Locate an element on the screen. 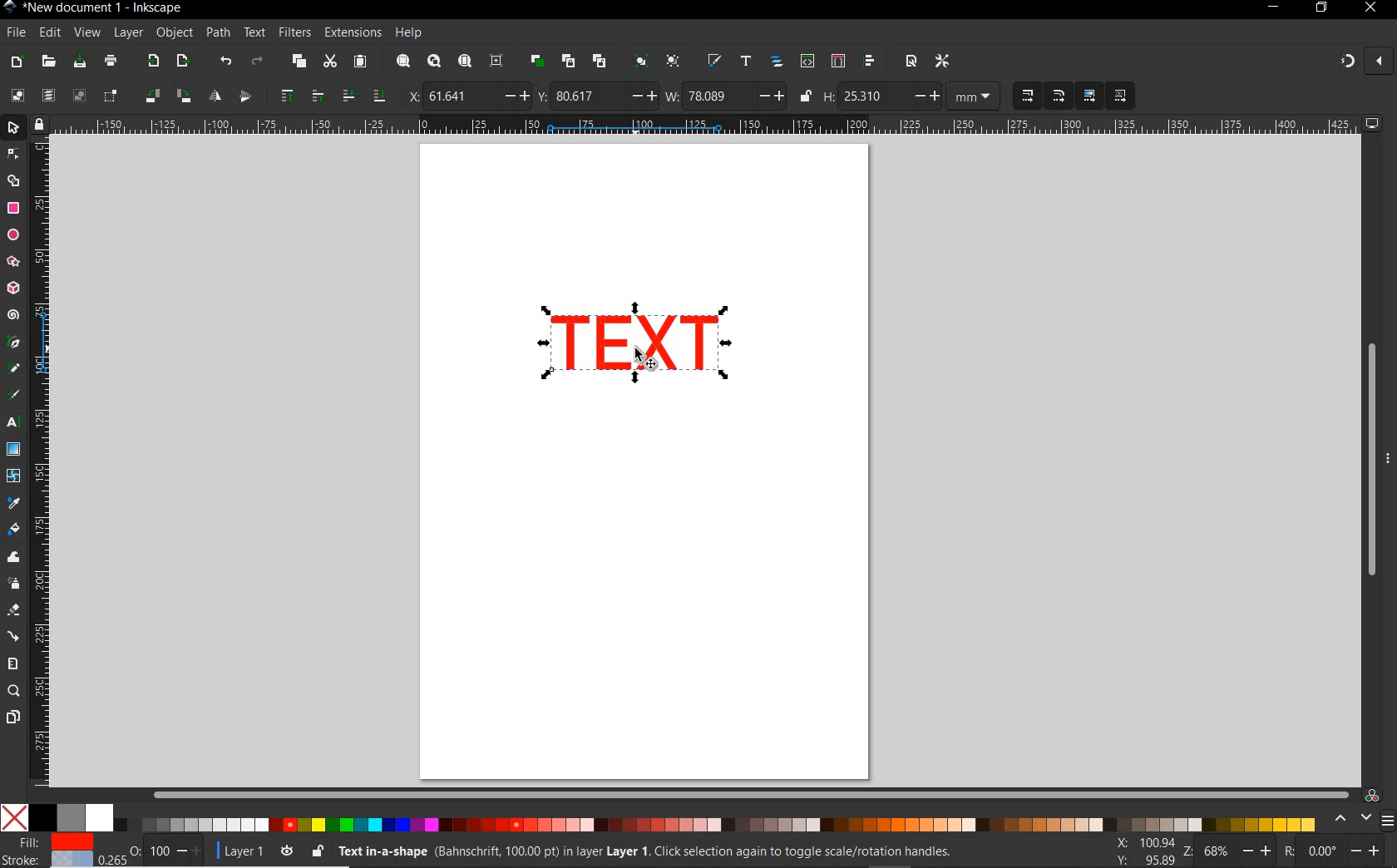  calligraphy tool is located at coordinates (17, 396).